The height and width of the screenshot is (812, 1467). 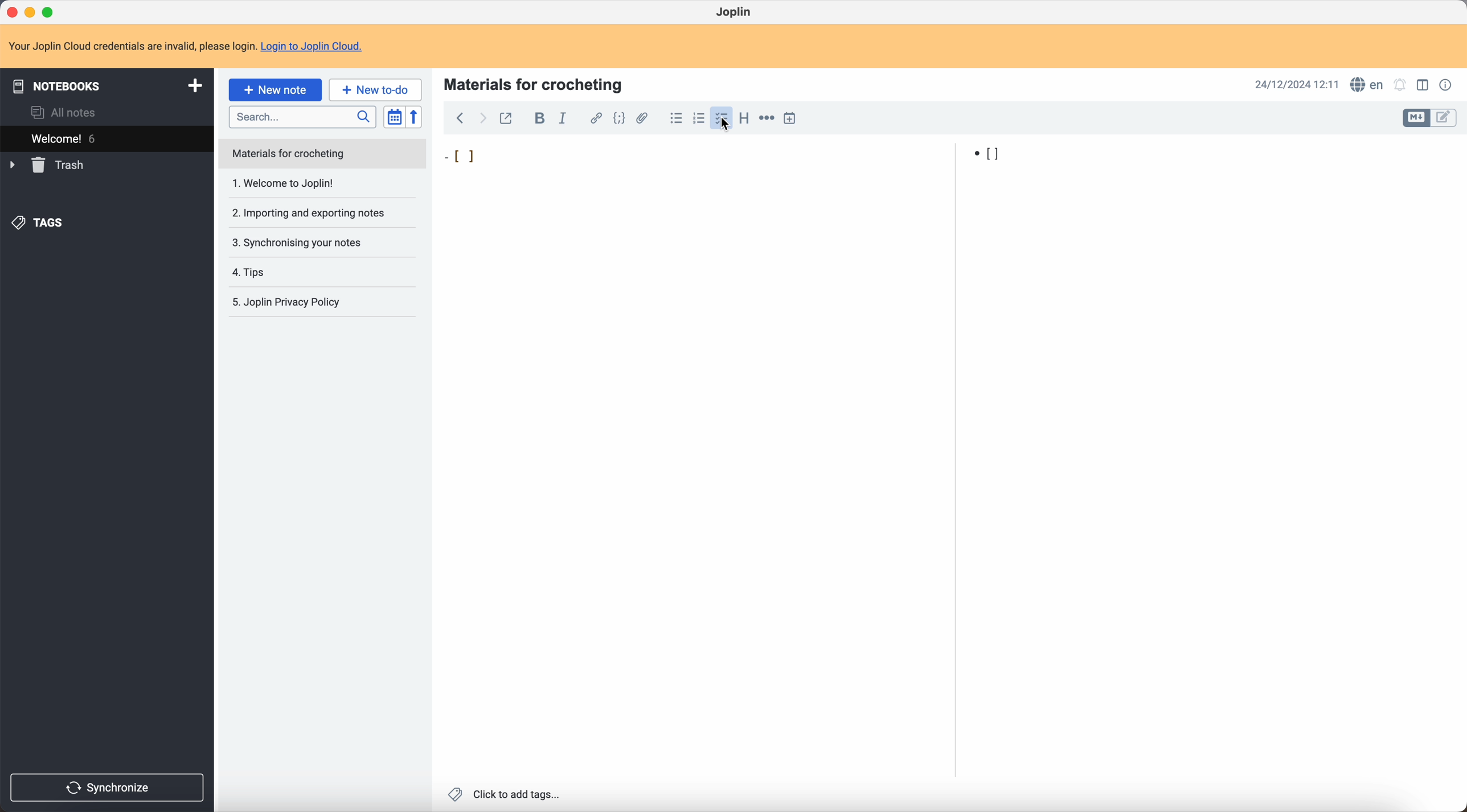 What do you see at coordinates (375, 89) in the screenshot?
I see `new to-do` at bounding box center [375, 89].